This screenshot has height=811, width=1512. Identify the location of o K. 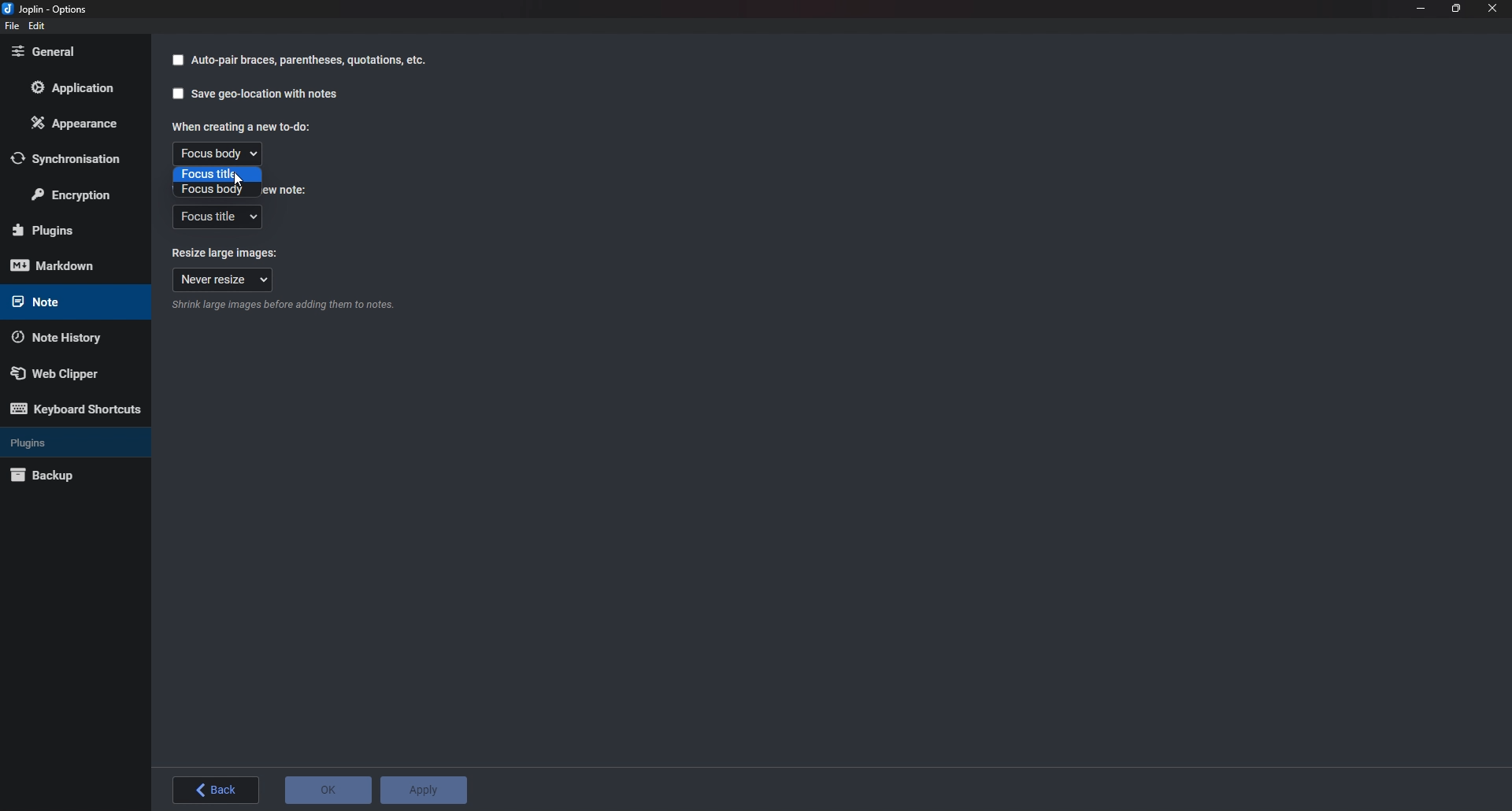
(328, 790).